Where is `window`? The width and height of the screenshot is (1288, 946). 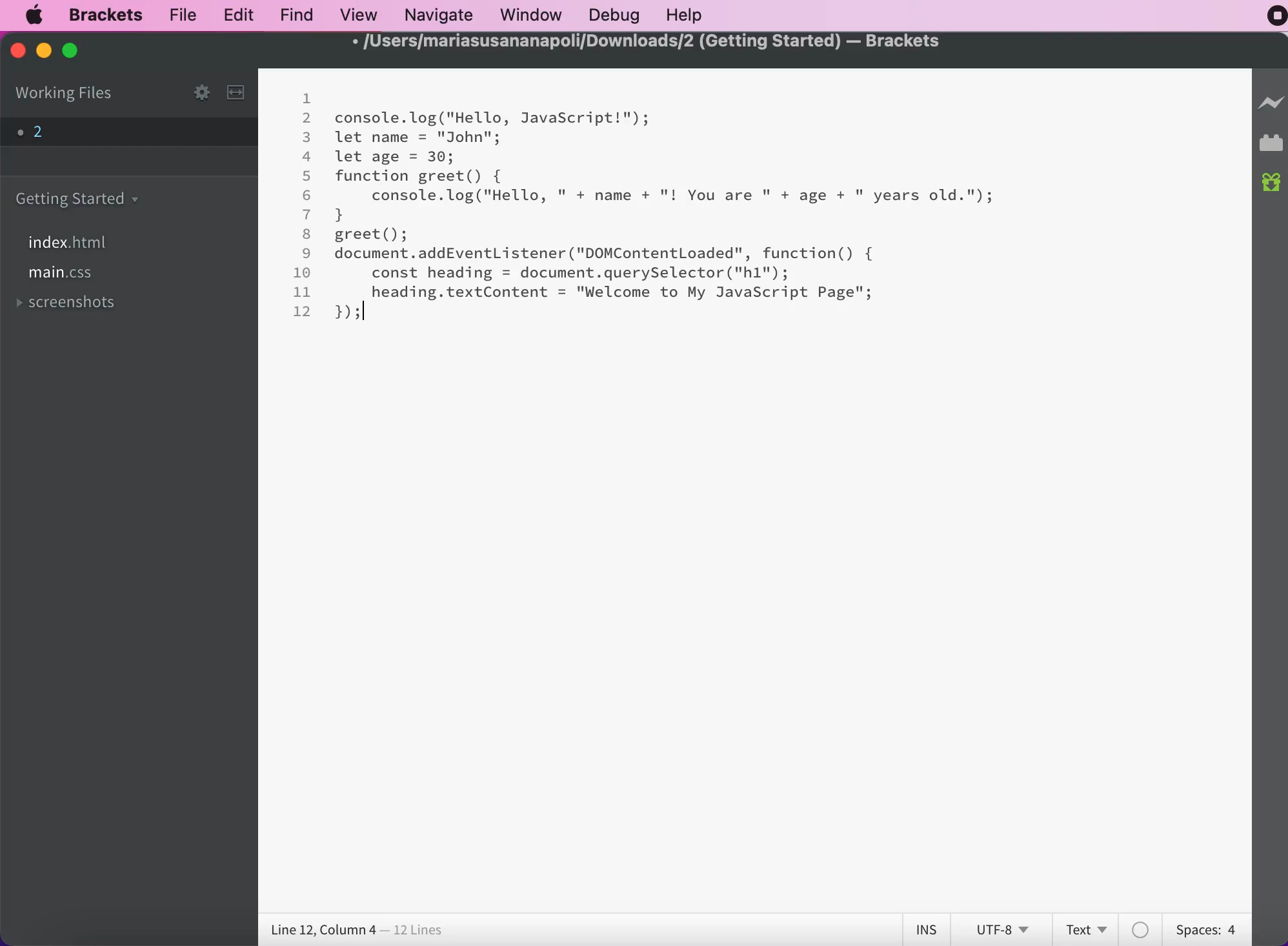
window is located at coordinates (529, 16).